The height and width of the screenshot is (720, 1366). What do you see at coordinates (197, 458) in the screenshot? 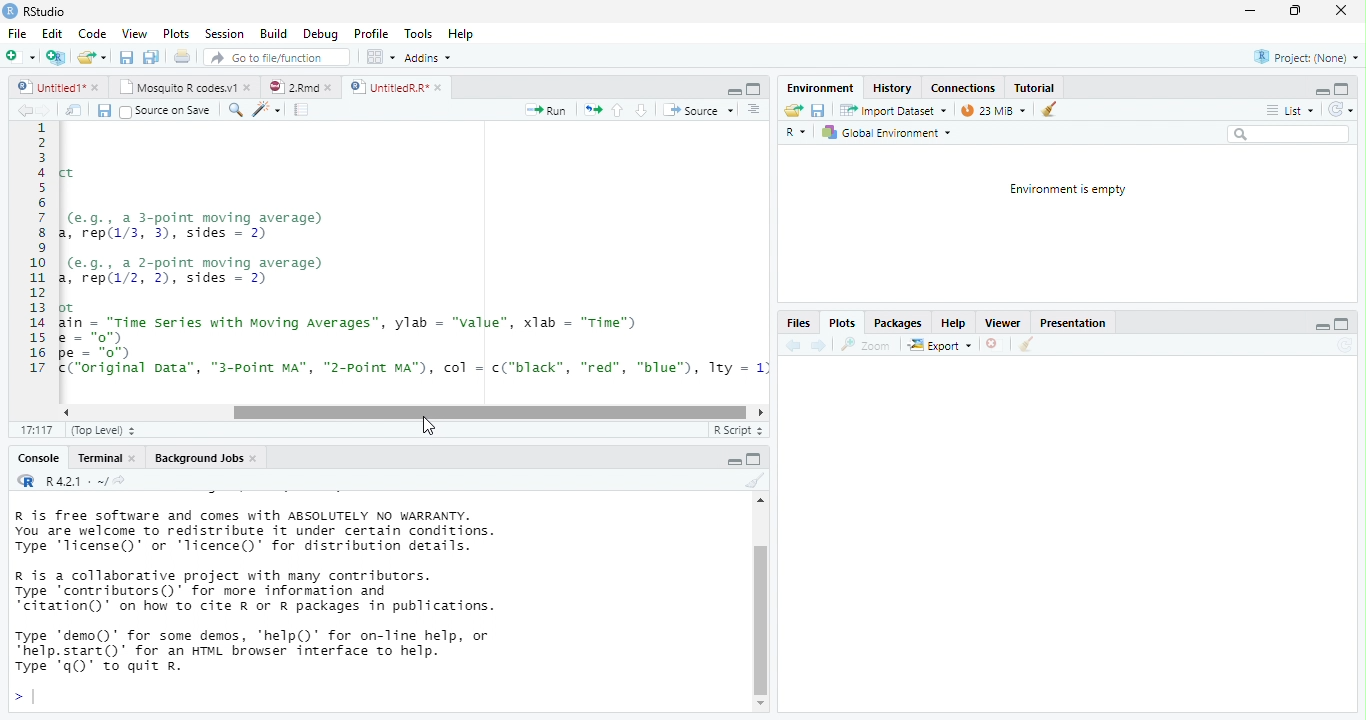
I see `Background Jobs` at bounding box center [197, 458].